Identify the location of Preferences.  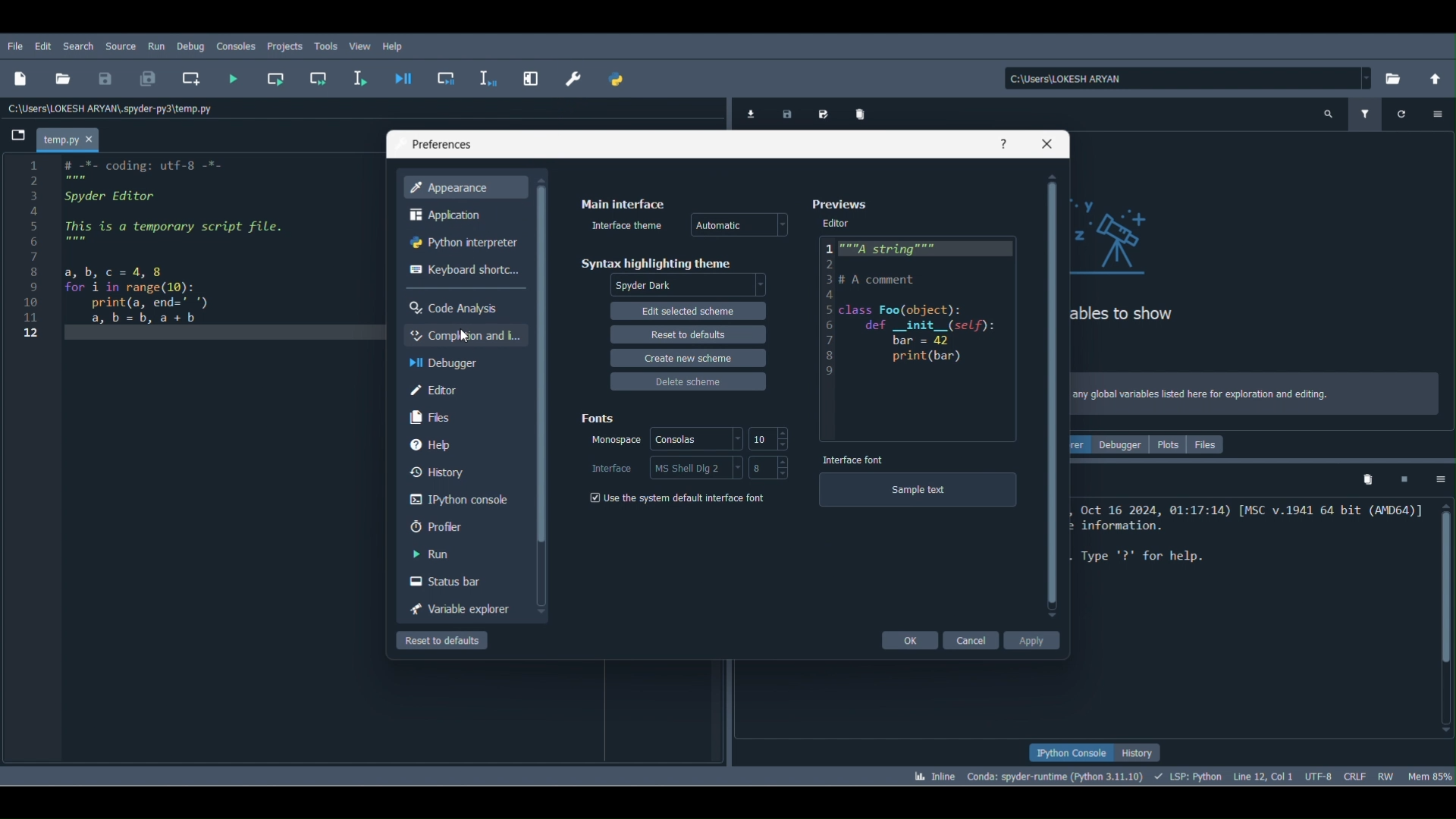
(441, 145).